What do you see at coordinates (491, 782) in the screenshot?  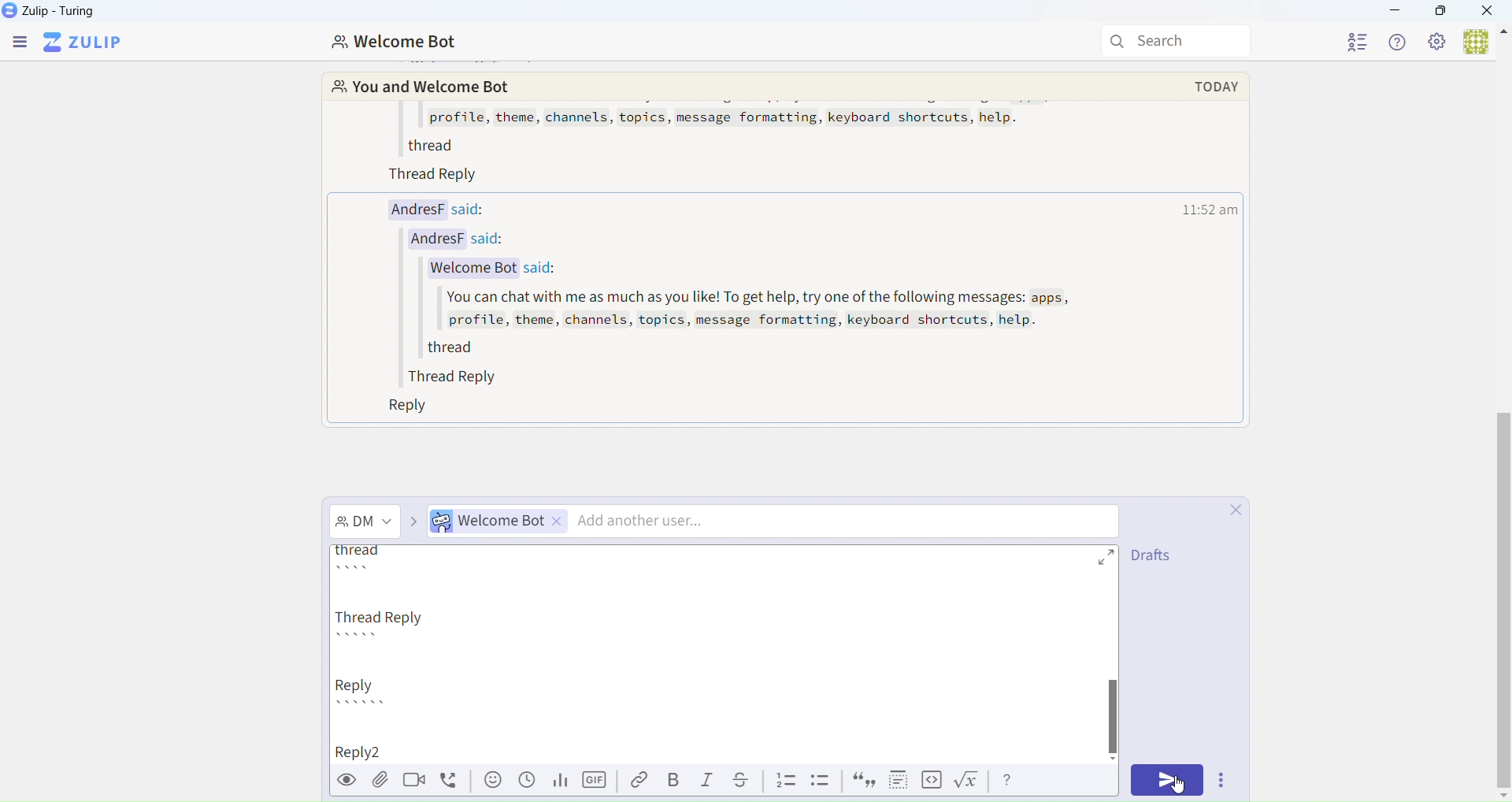 I see `emoji` at bounding box center [491, 782].